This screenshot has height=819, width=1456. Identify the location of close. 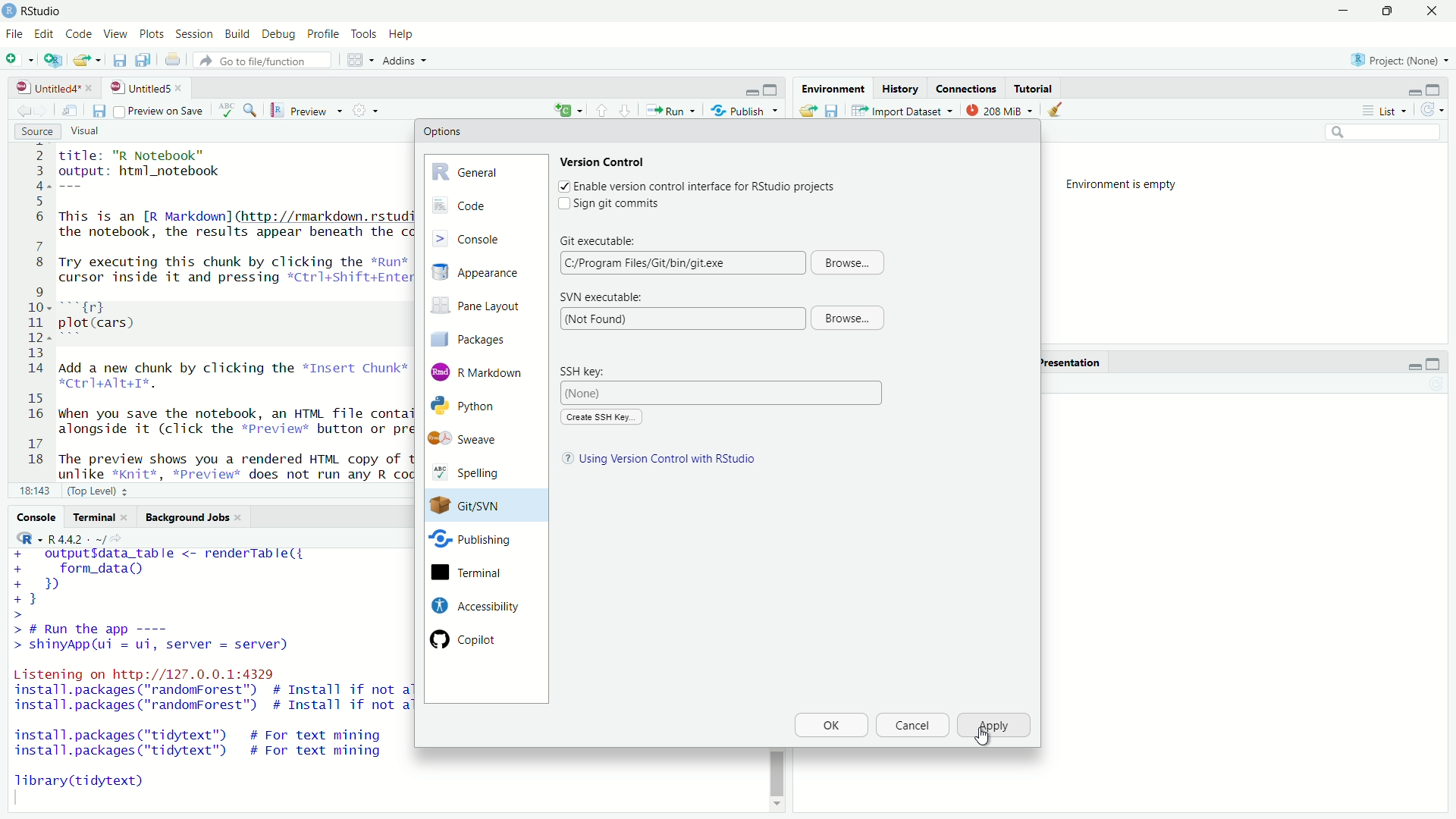
(1431, 11).